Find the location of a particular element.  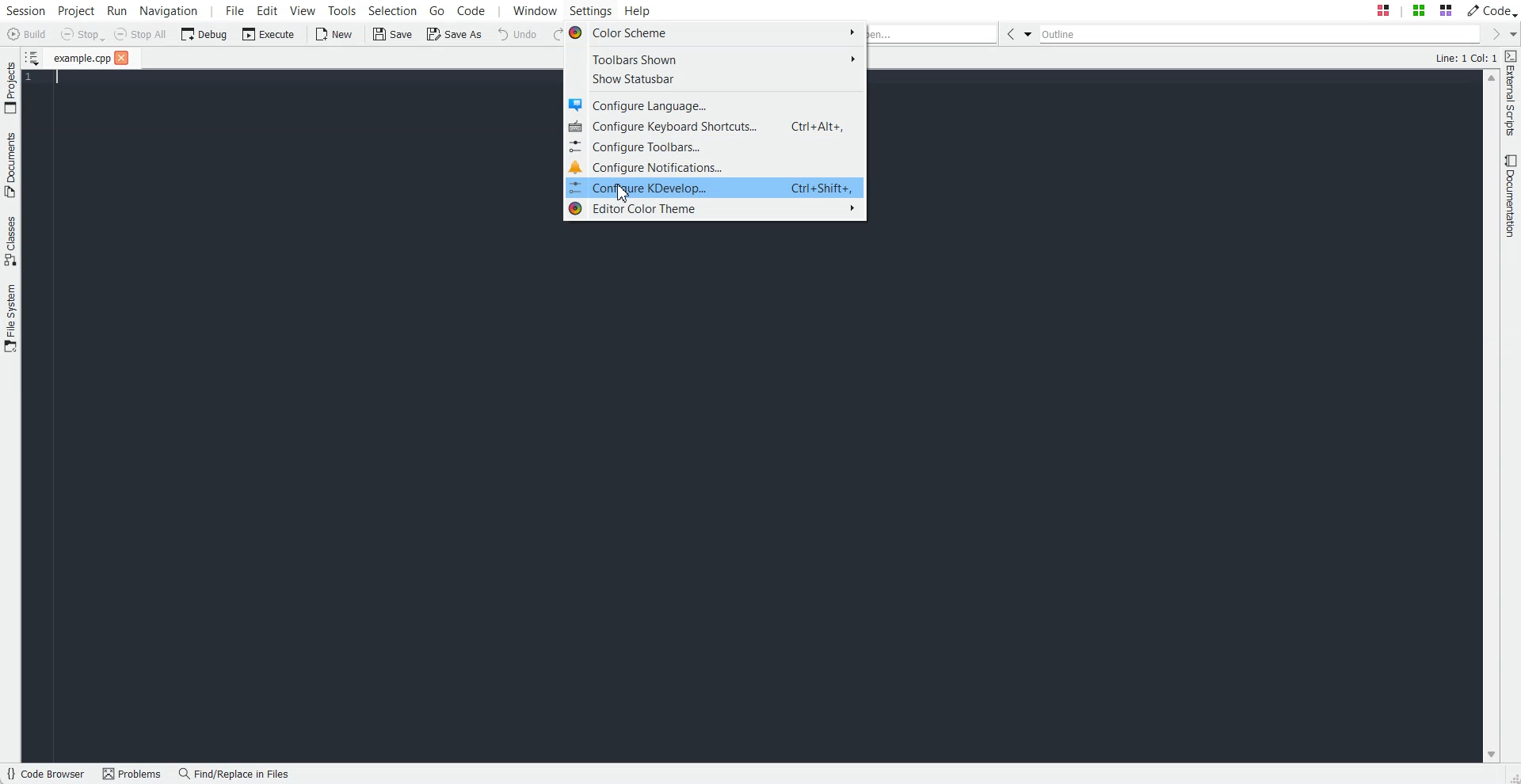

External Scripts is located at coordinates (1511, 93).